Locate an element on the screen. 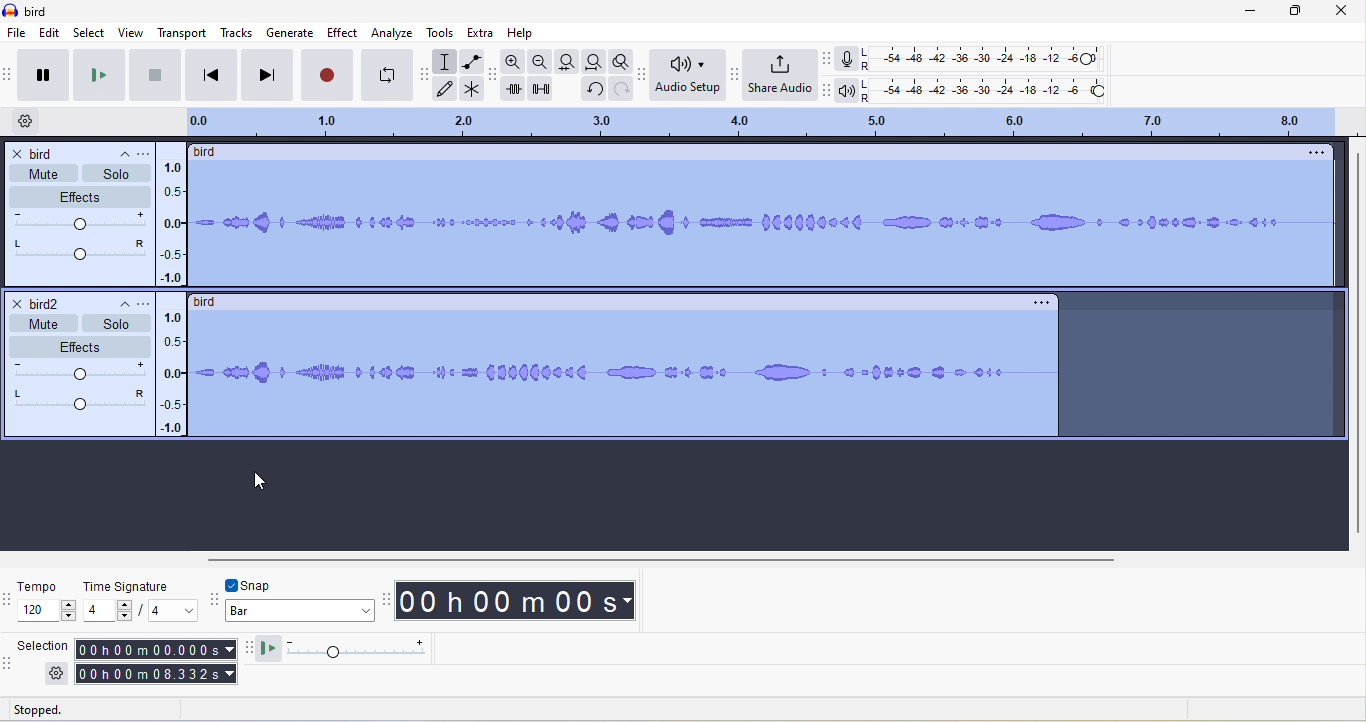 Image resolution: width=1366 pixels, height=722 pixels. selection is located at coordinates (45, 659).